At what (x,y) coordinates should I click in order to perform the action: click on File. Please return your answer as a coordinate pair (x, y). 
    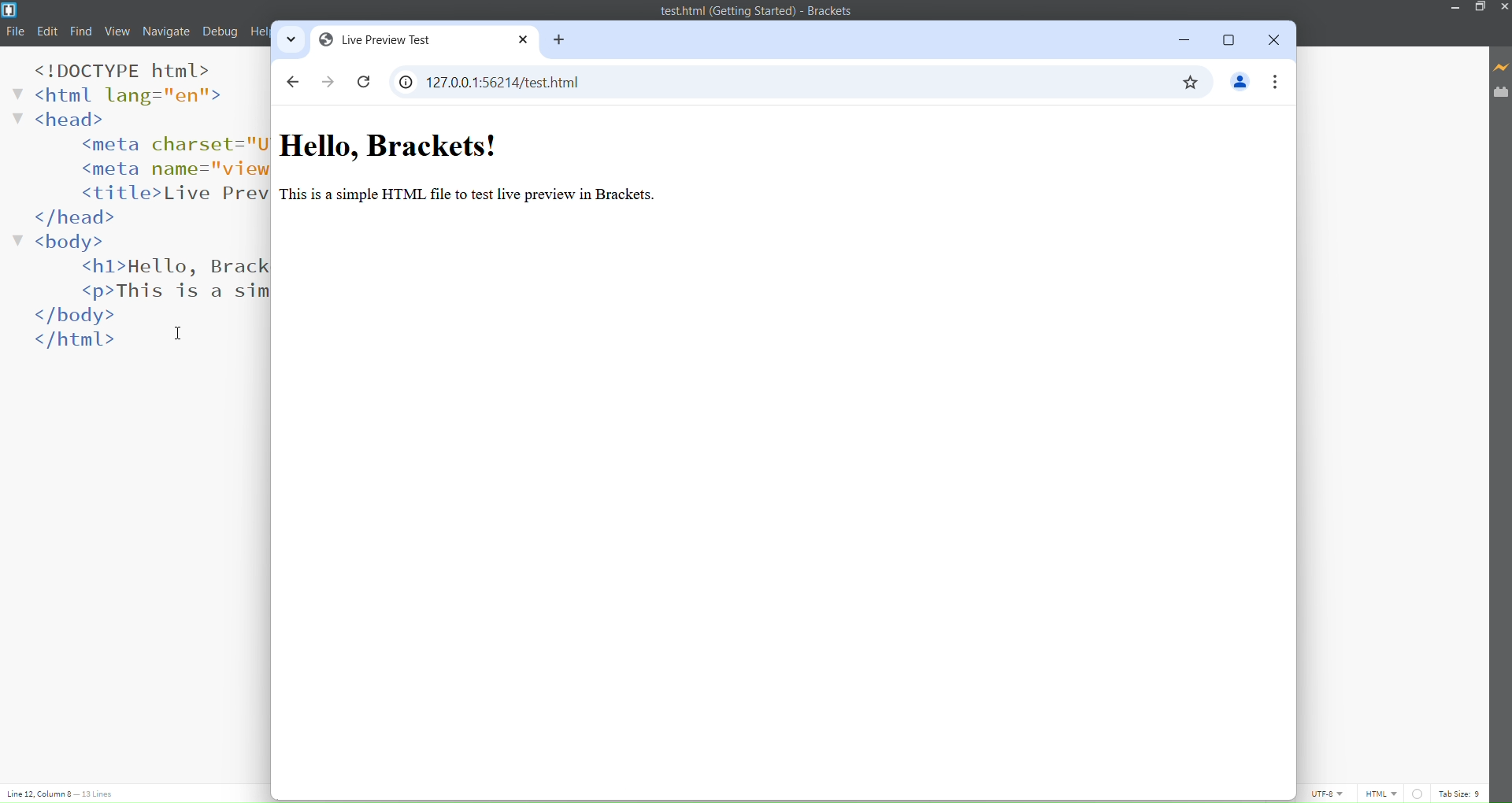
    Looking at the image, I should click on (17, 31).